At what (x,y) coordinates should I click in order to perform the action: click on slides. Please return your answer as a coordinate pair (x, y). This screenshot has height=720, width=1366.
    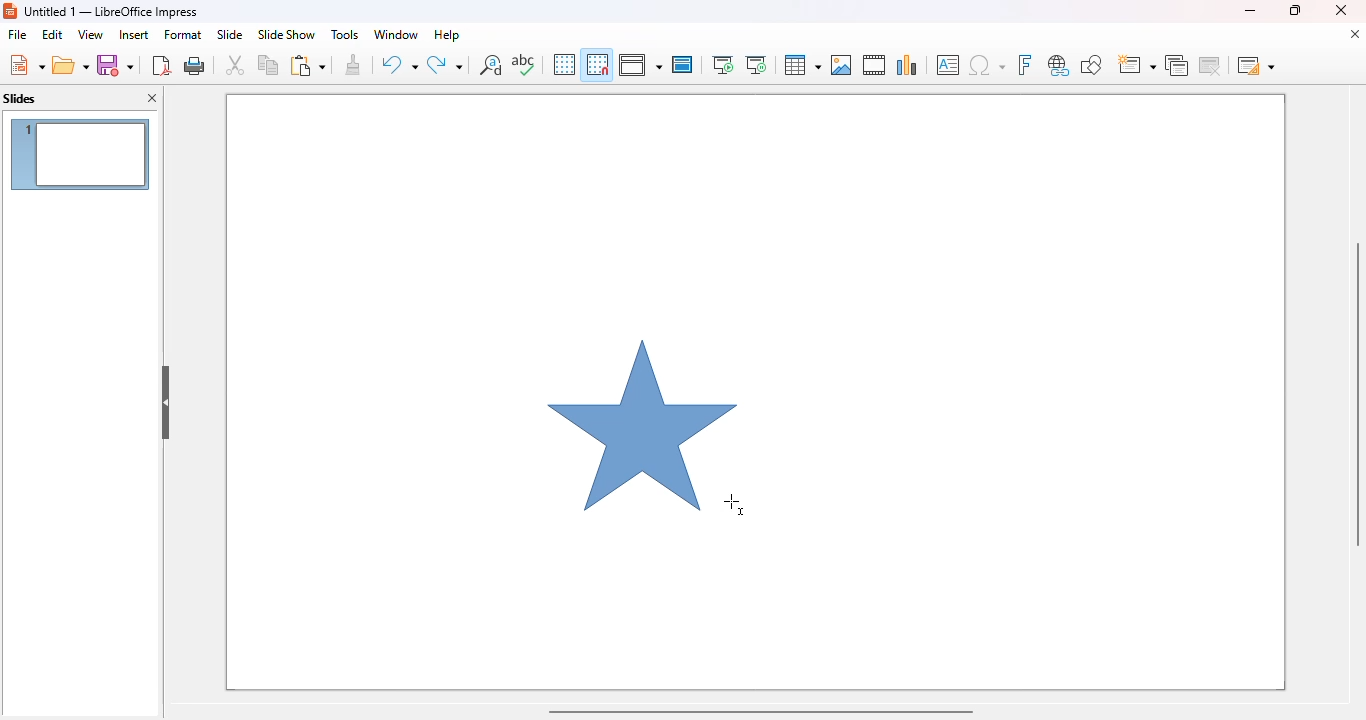
    Looking at the image, I should click on (20, 99).